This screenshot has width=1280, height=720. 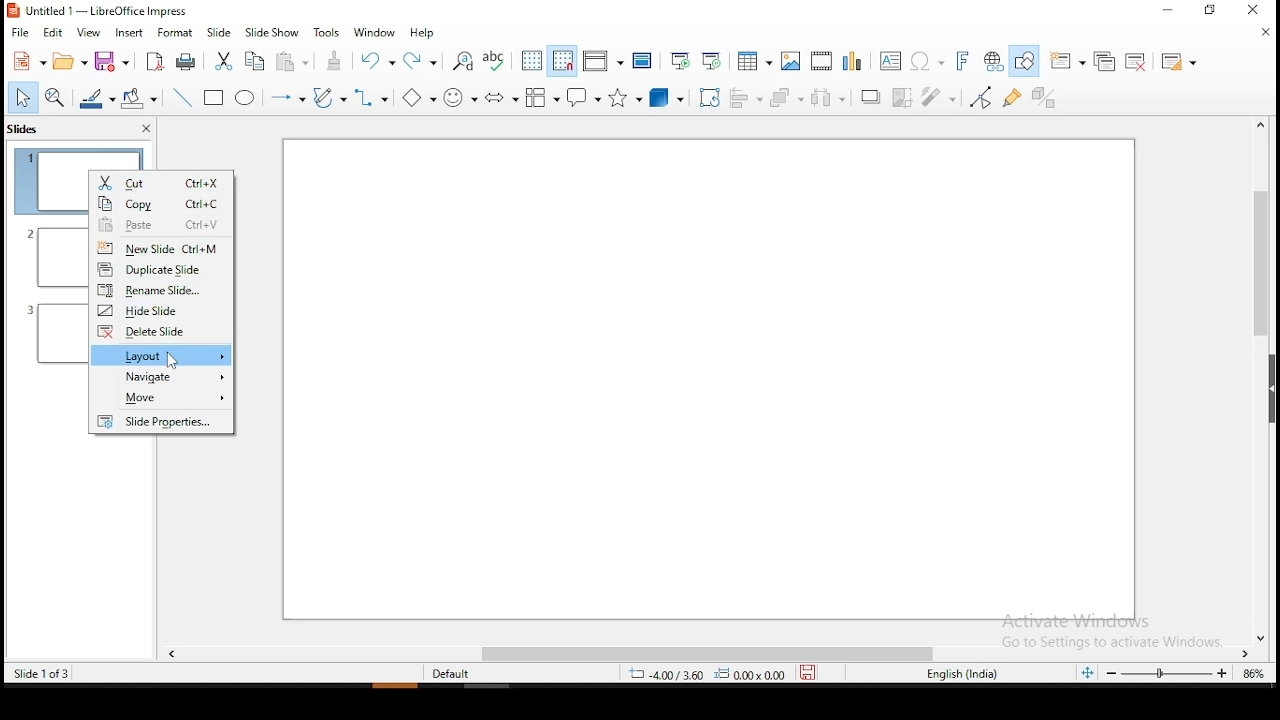 I want to click on slide show, so click(x=272, y=32).